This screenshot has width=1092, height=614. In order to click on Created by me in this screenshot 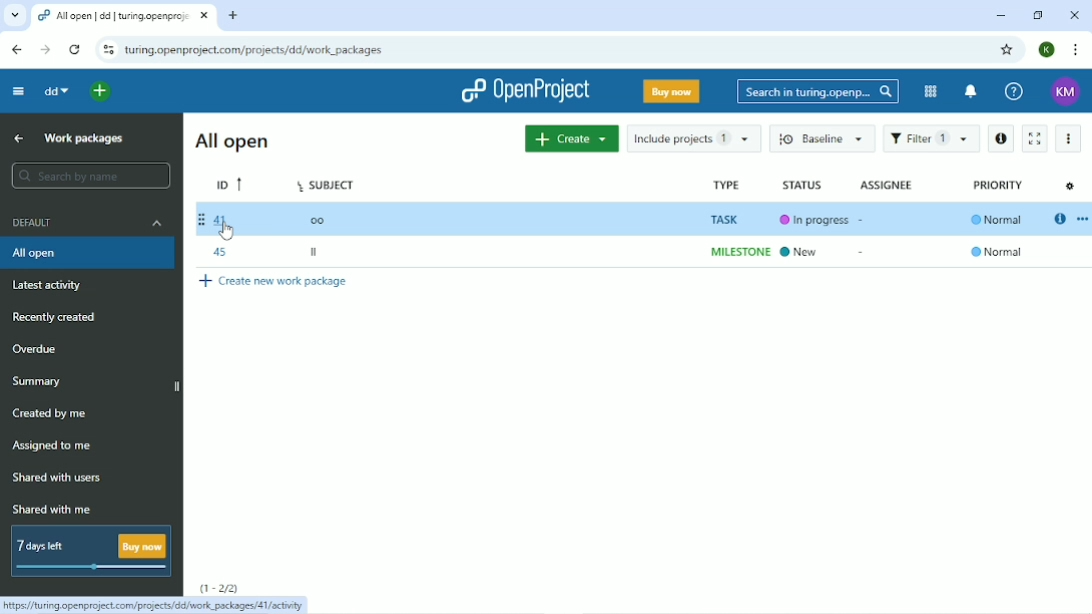, I will do `click(49, 414)`.